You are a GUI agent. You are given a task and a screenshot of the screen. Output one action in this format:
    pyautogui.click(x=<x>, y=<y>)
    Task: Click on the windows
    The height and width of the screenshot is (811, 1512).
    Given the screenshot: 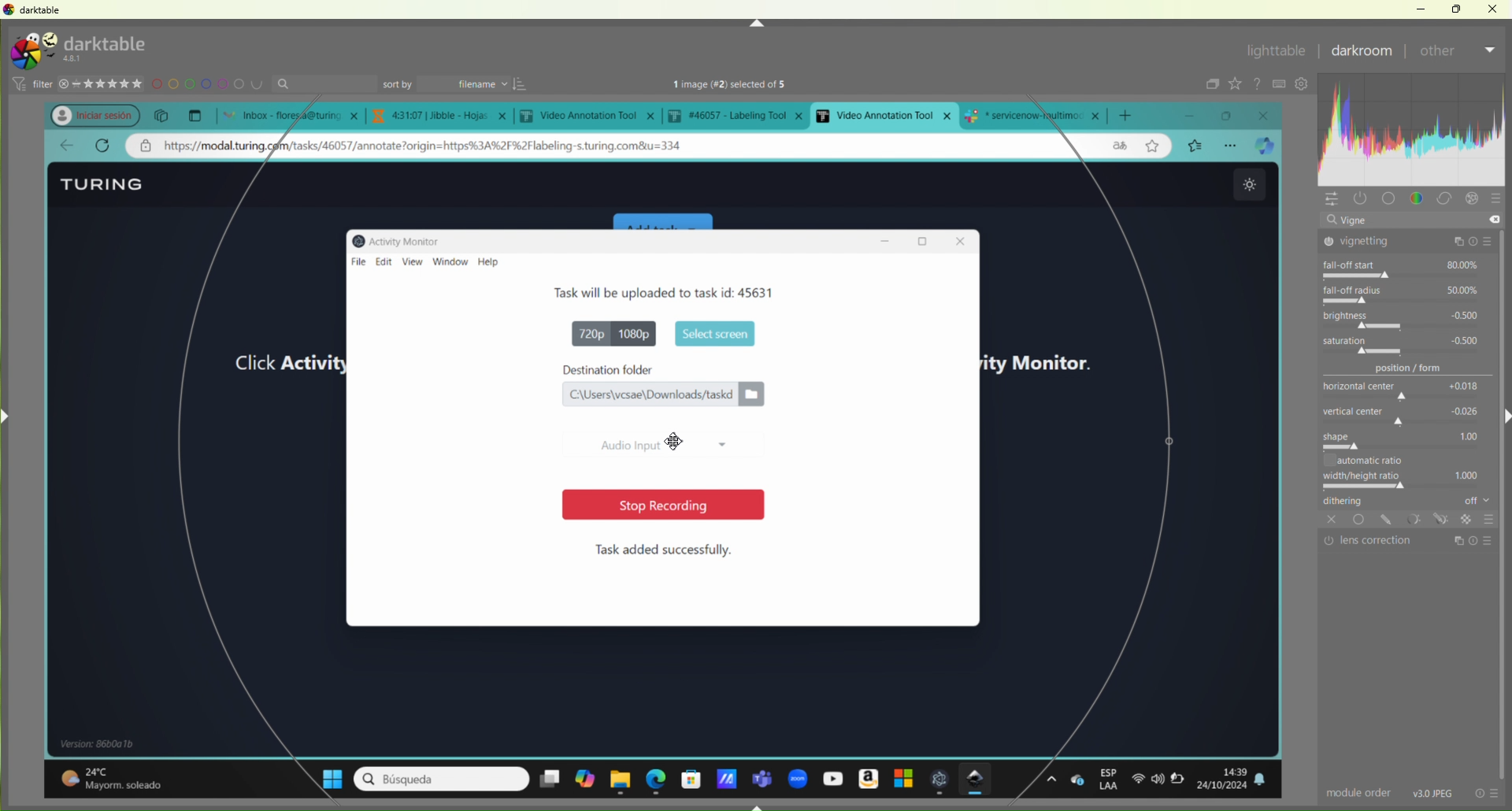 What is the action you would take?
    pyautogui.click(x=900, y=780)
    